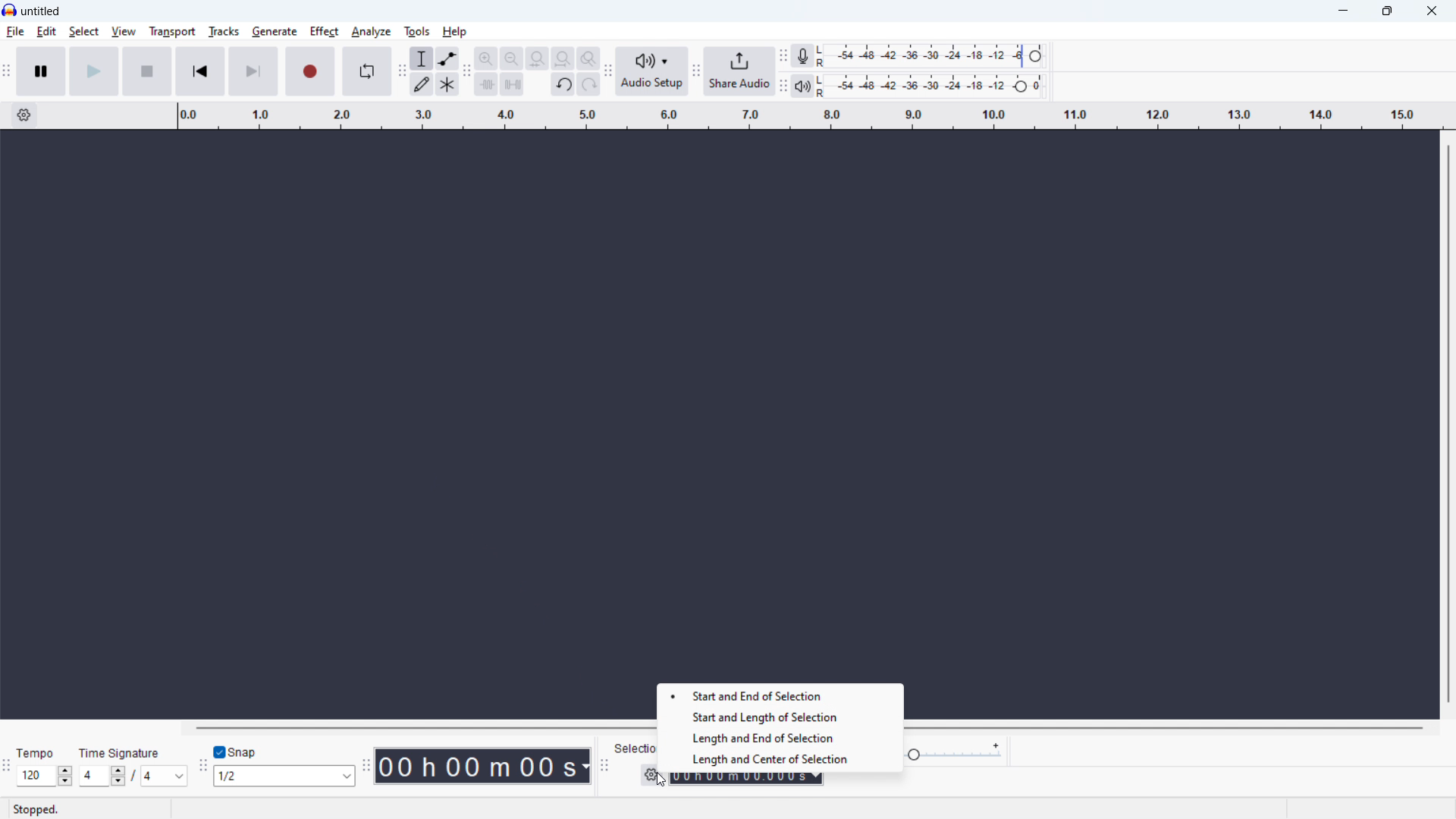 This screenshot has height=819, width=1456. Describe the element at coordinates (372, 32) in the screenshot. I see `analyze` at that location.